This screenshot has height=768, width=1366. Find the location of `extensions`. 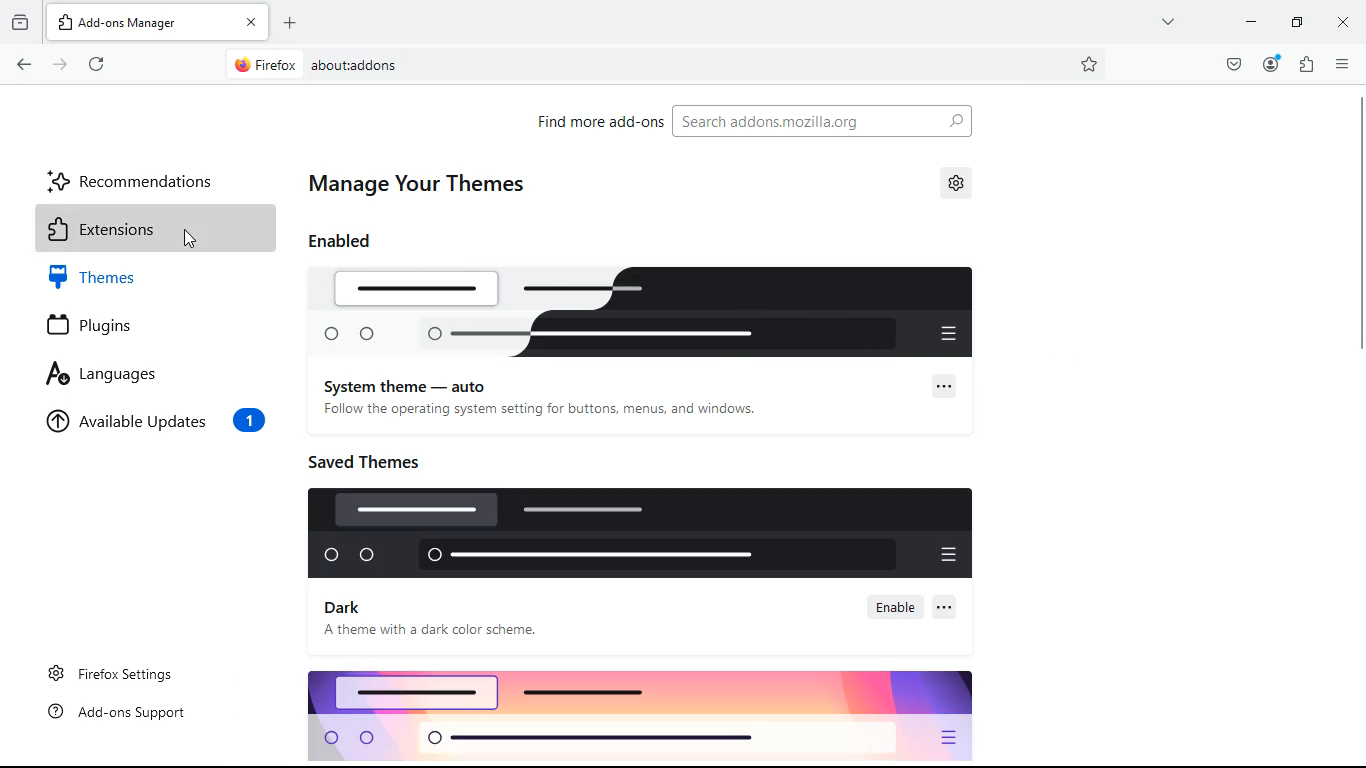

extensions is located at coordinates (150, 229).